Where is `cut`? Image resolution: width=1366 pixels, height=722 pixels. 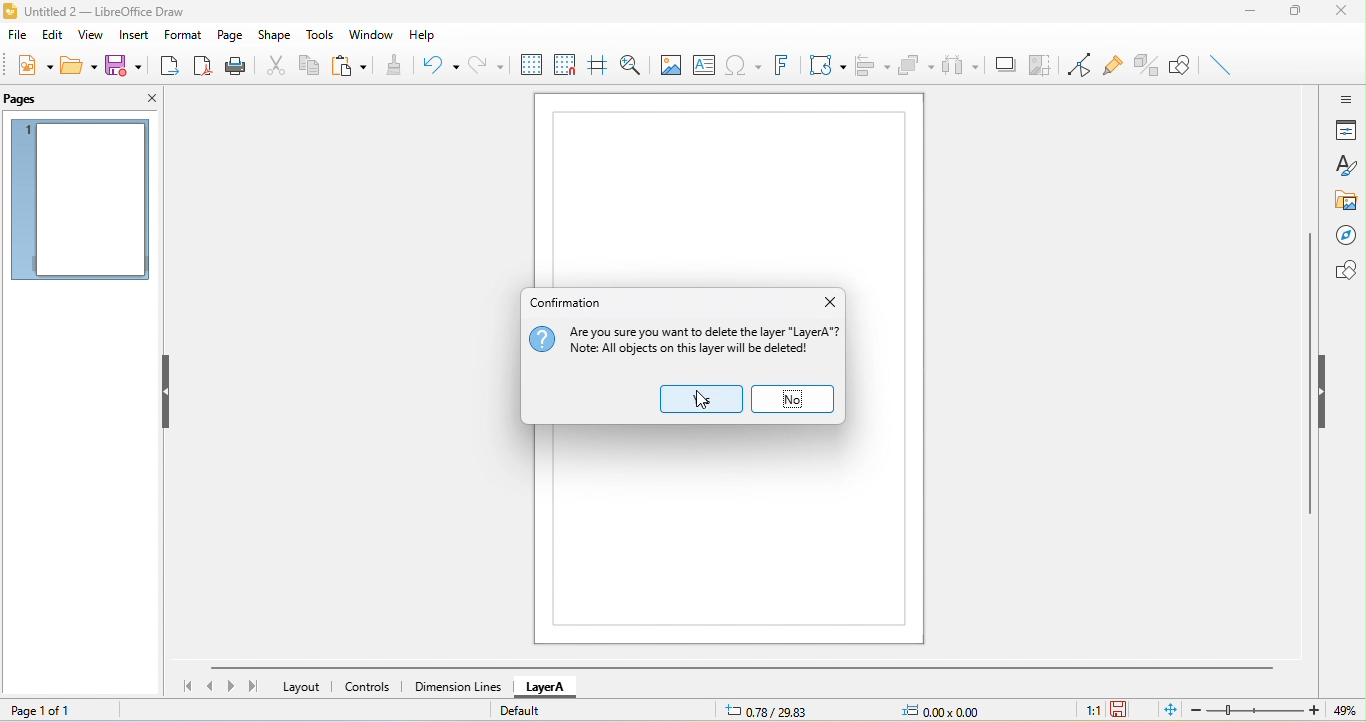 cut is located at coordinates (277, 66).